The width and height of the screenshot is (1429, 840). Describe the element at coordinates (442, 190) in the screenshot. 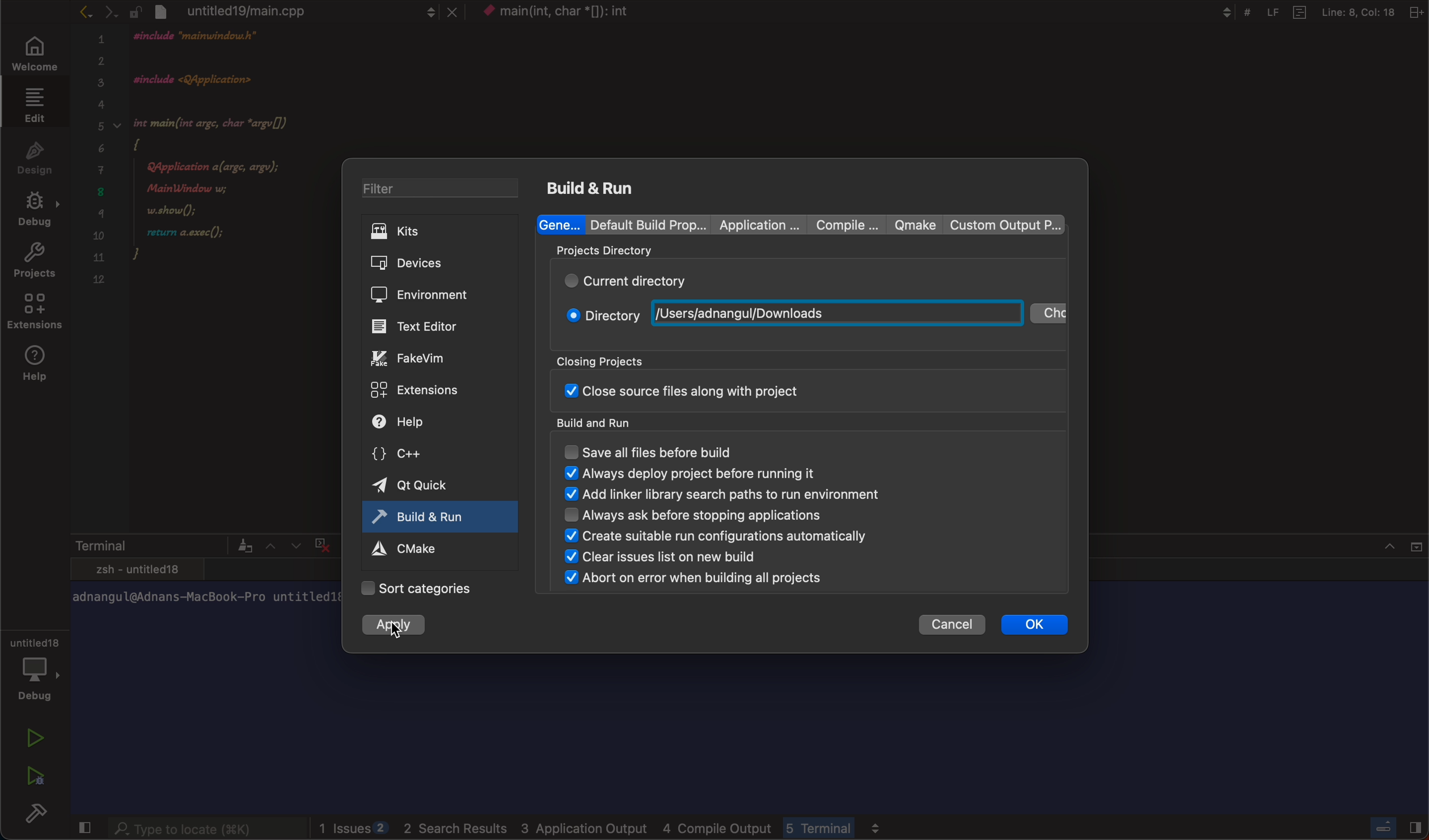

I see `filter` at that location.